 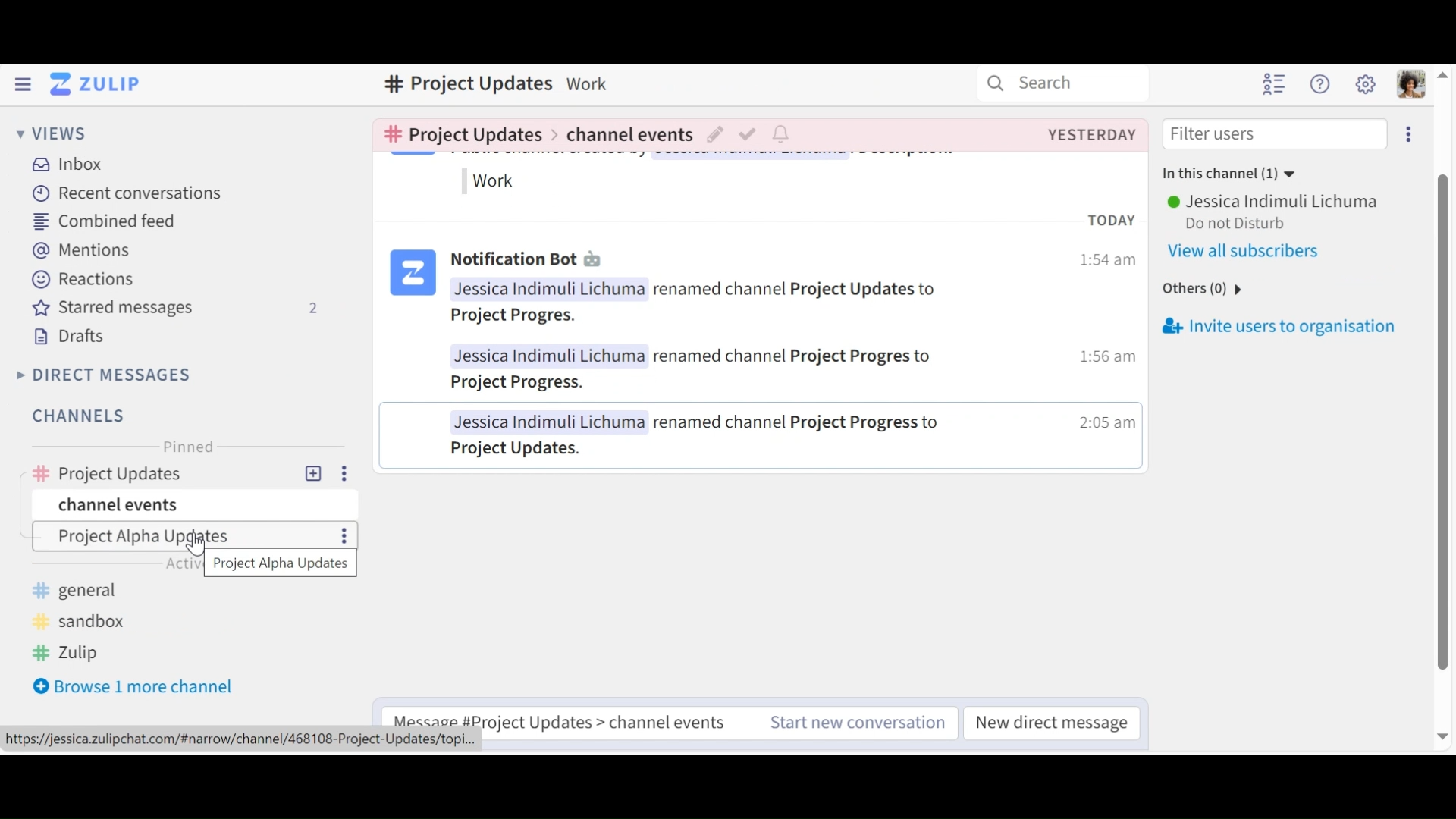 What do you see at coordinates (186, 445) in the screenshot?
I see `Pinned` at bounding box center [186, 445].